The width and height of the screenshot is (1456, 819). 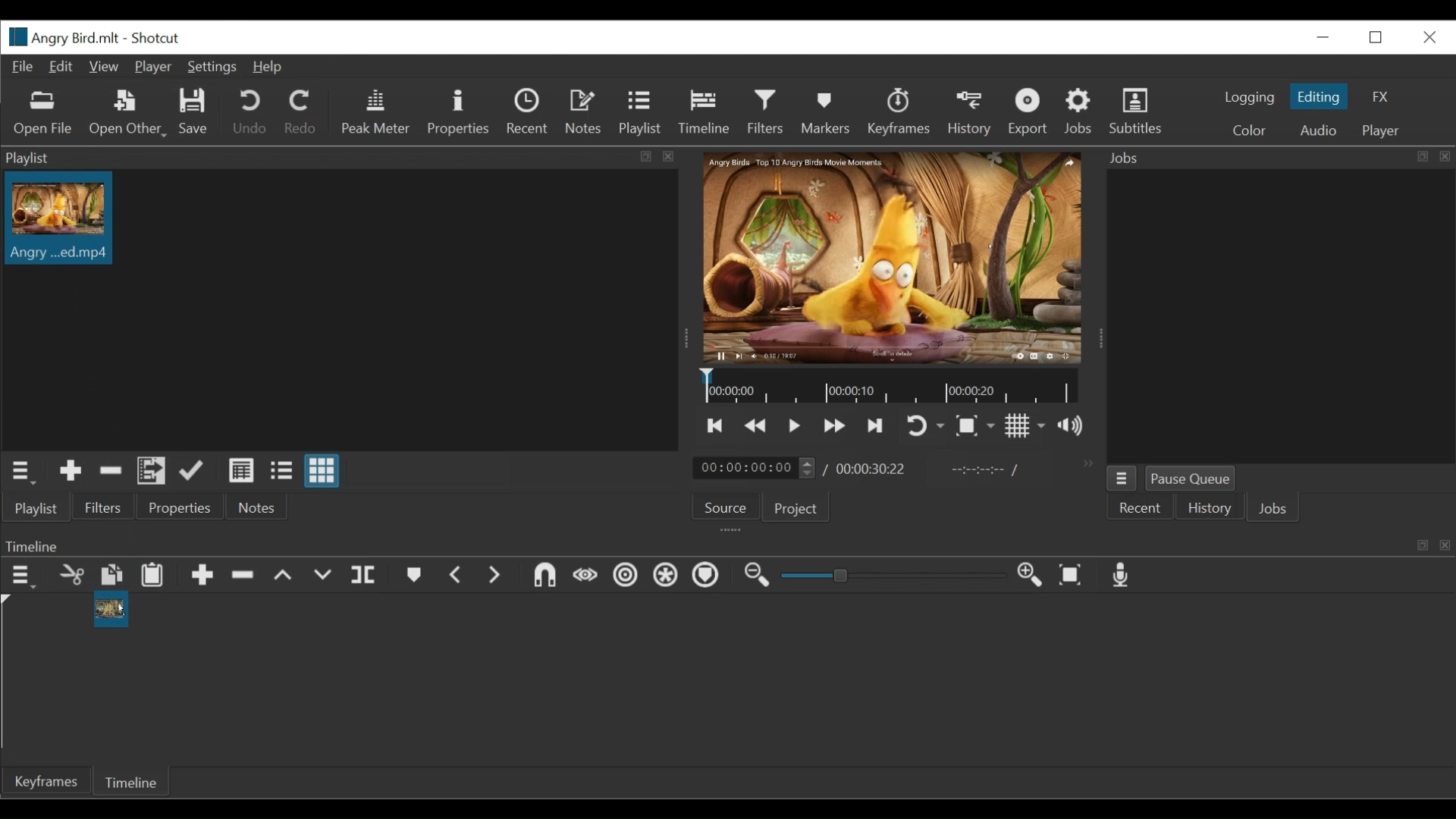 What do you see at coordinates (665, 575) in the screenshot?
I see `Ripple all tracks` at bounding box center [665, 575].